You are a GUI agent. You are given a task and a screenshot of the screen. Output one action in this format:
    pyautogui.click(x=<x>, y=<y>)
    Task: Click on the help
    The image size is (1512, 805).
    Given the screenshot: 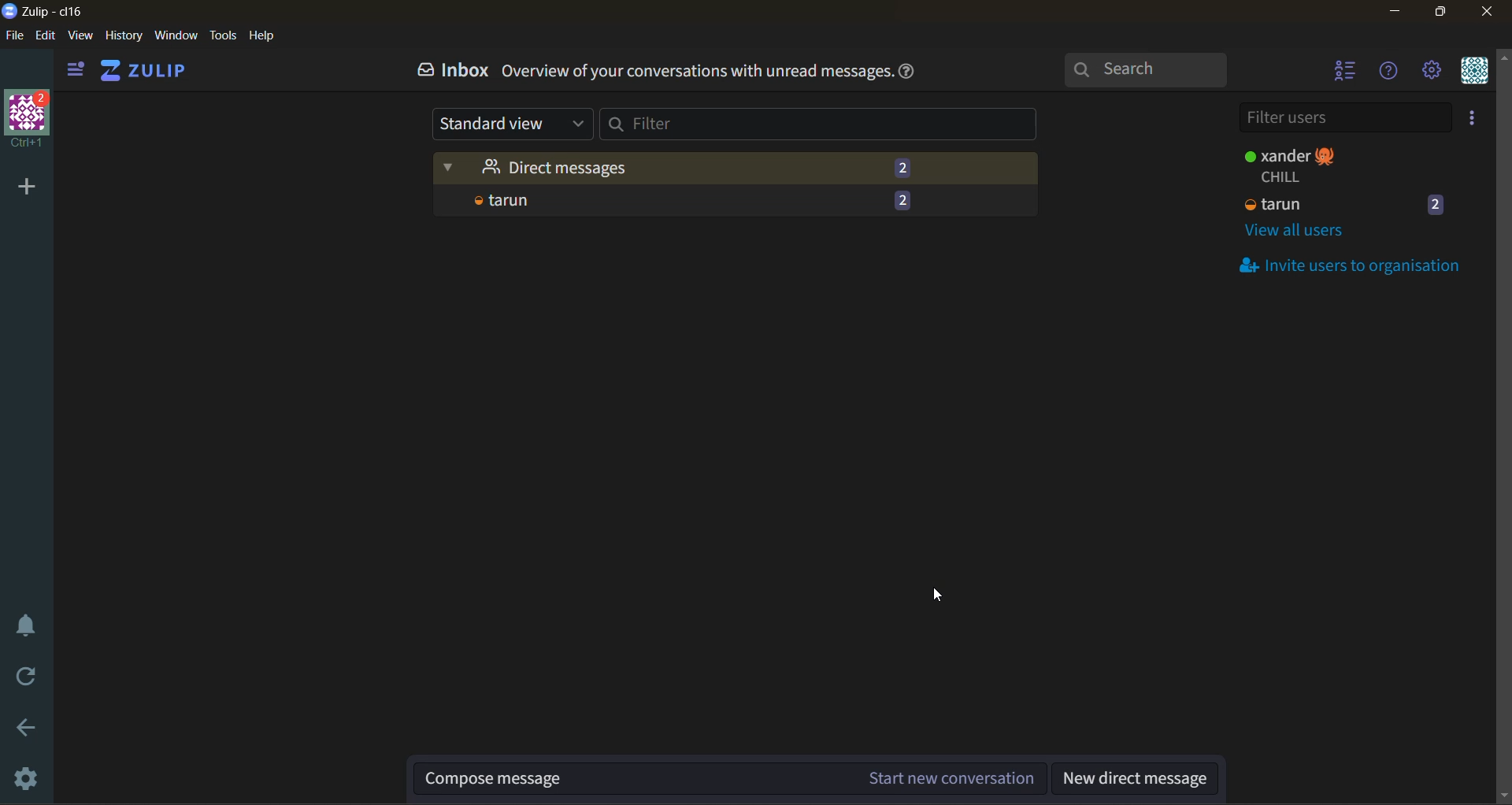 What is the action you would take?
    pyautogui.click(x=263, y=36)
    